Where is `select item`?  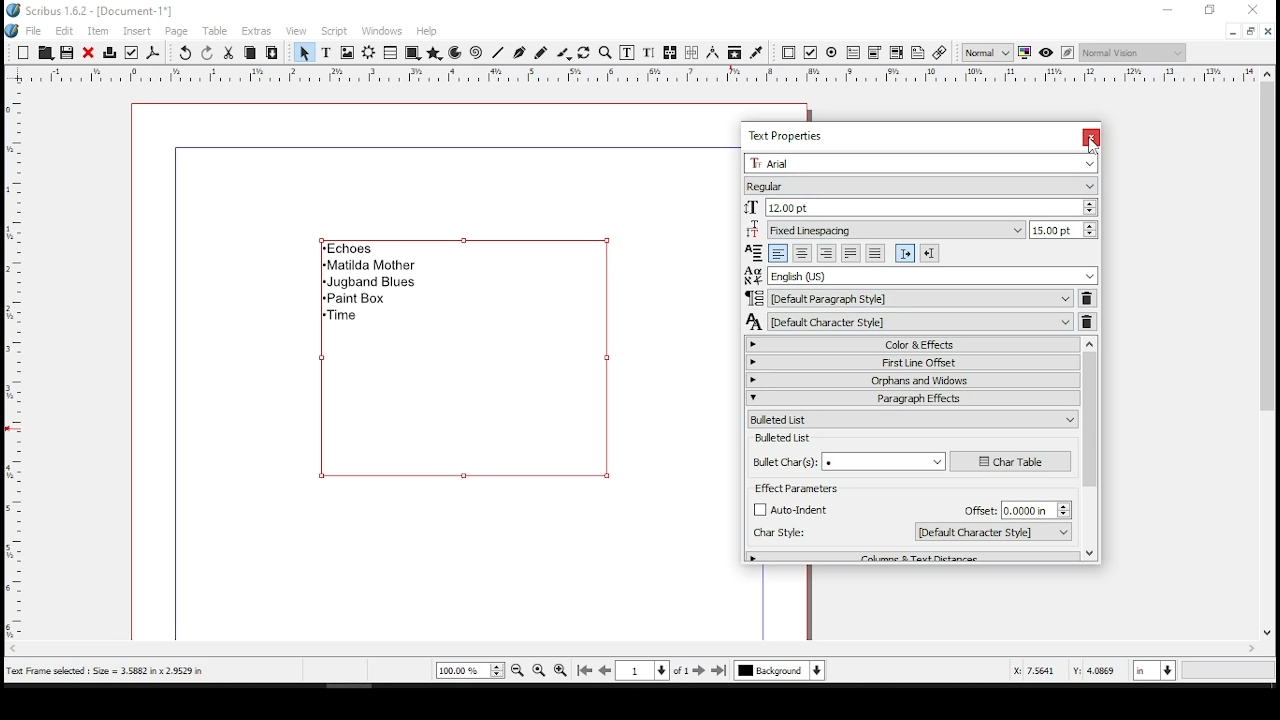
select item is located at coordinates (304, 52).